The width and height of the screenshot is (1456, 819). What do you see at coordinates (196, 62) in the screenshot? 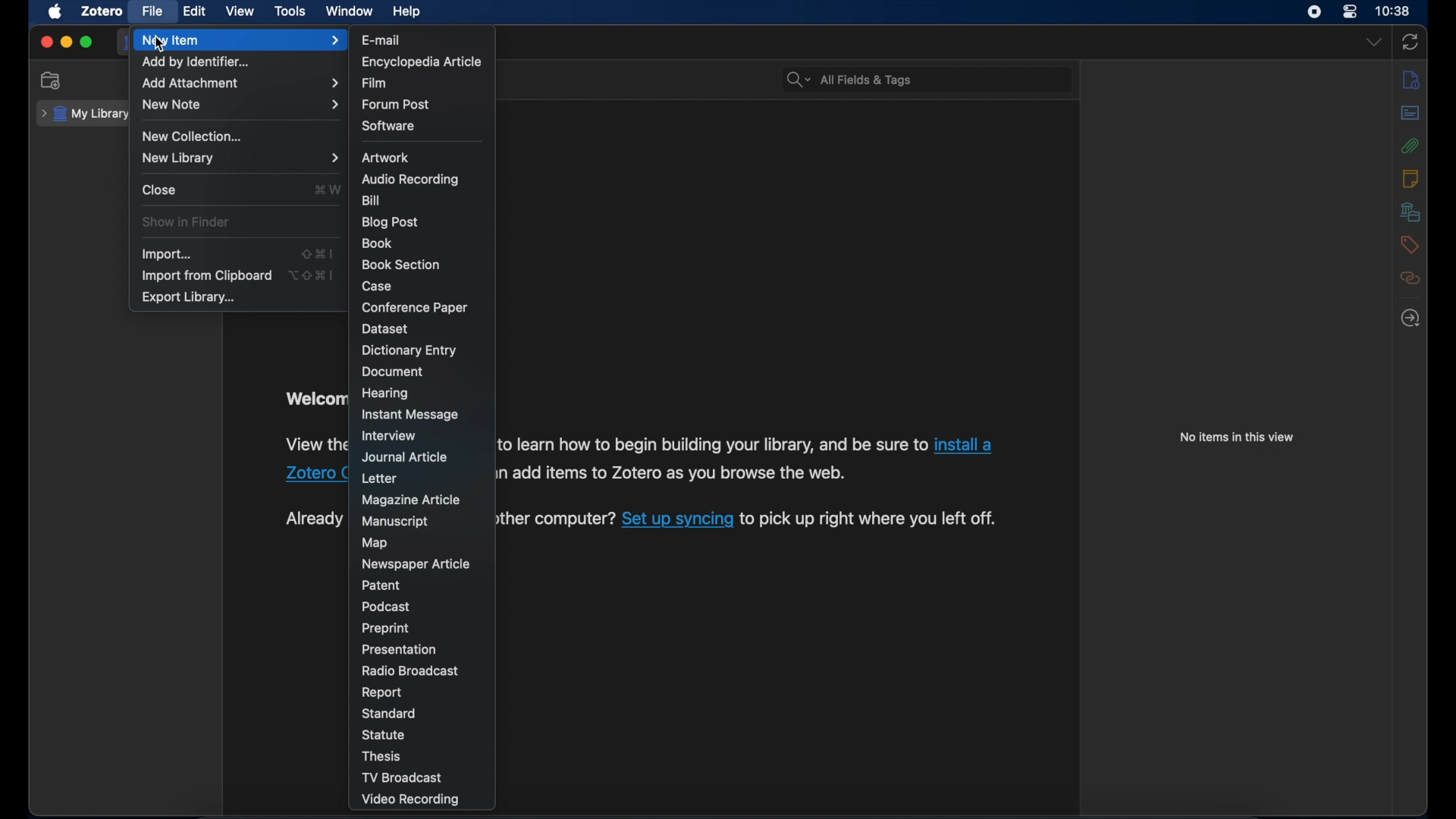
I see `add by identifier` at bounding box center [196, 62].